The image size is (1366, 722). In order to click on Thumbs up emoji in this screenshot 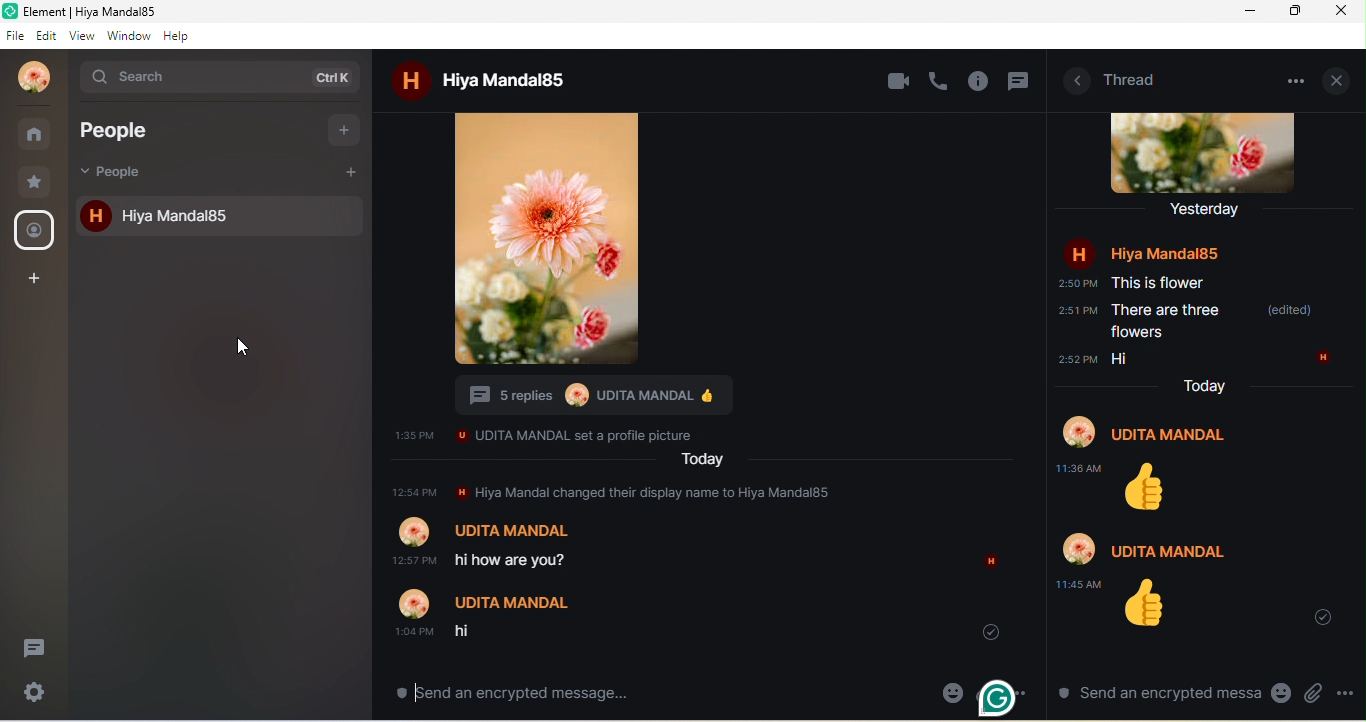, I will do `click(1150, 488)`.